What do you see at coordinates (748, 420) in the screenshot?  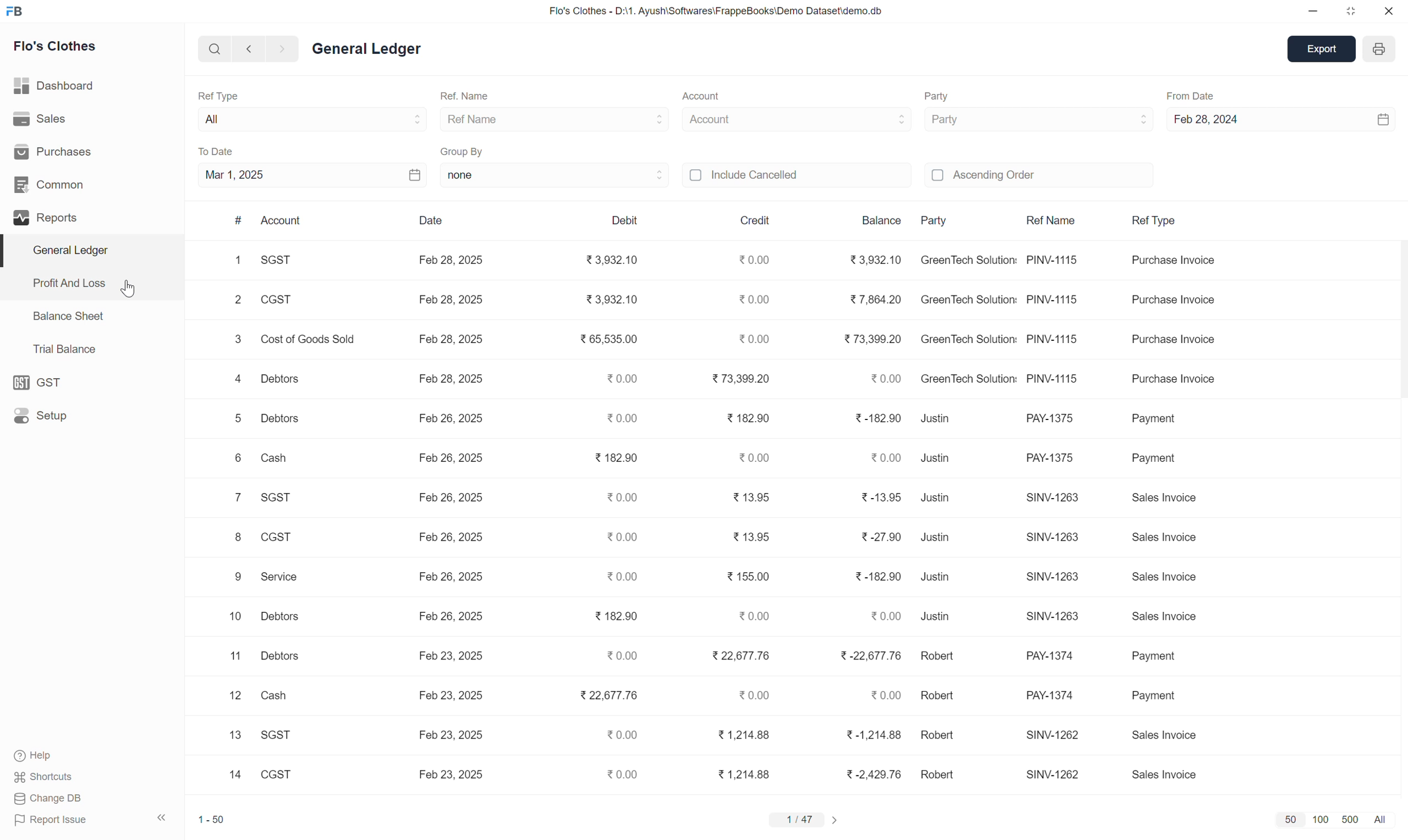 I see `₹182.90` at bounding box center [748, 420].